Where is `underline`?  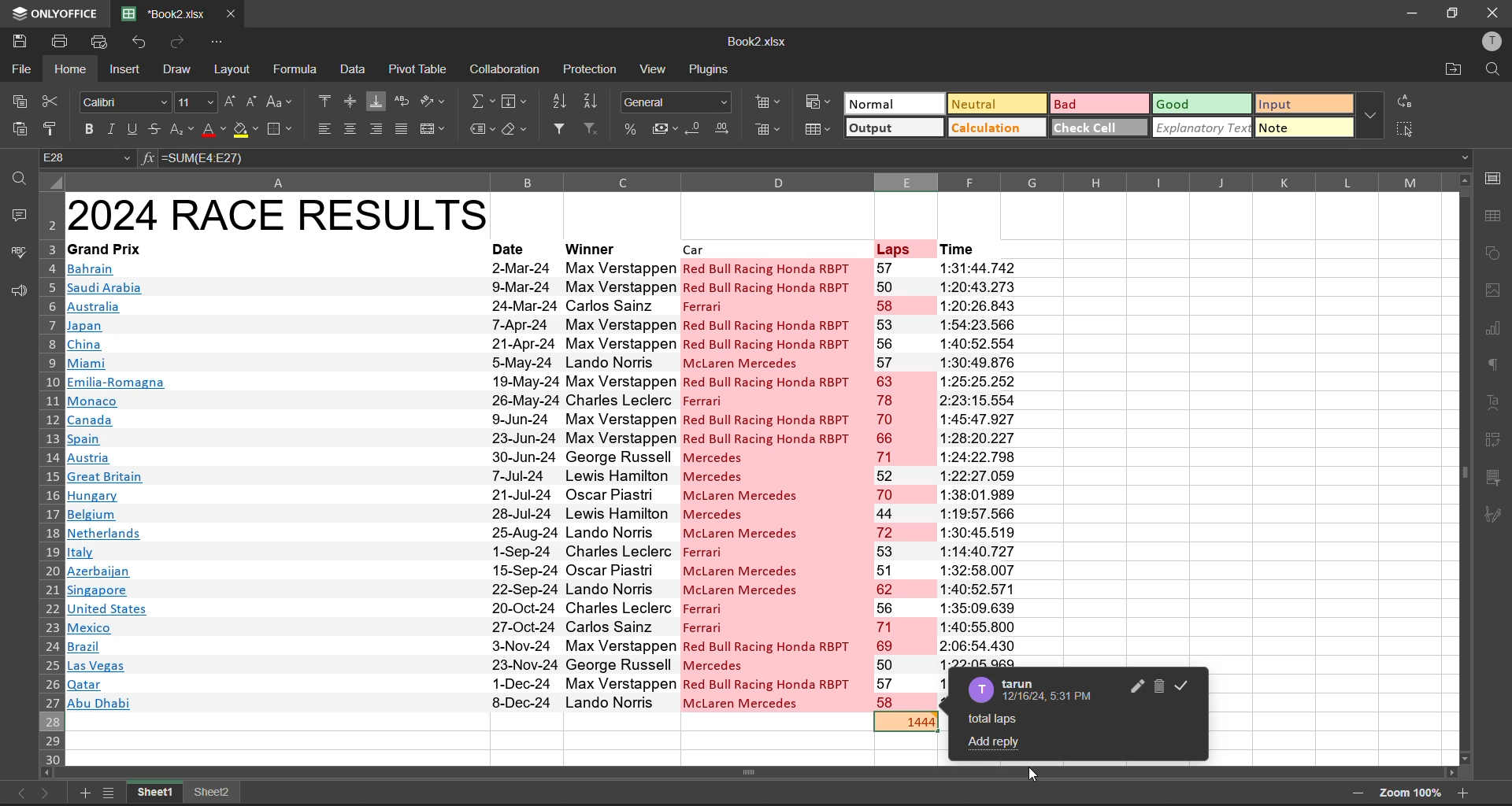
underline is located at coordinates (133, 128).